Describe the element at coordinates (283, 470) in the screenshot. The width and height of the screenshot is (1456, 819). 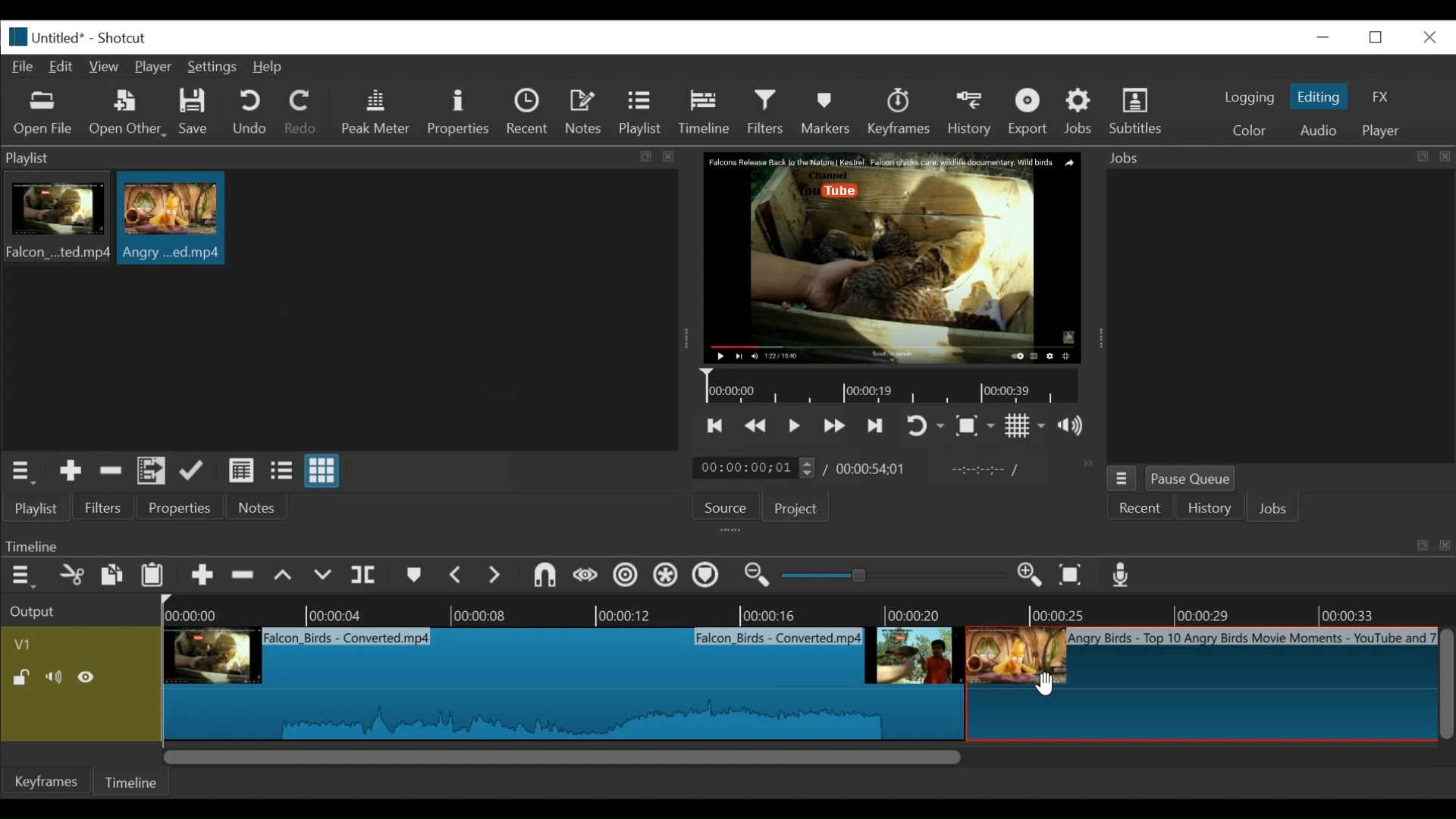
I see `view as files` at that location.